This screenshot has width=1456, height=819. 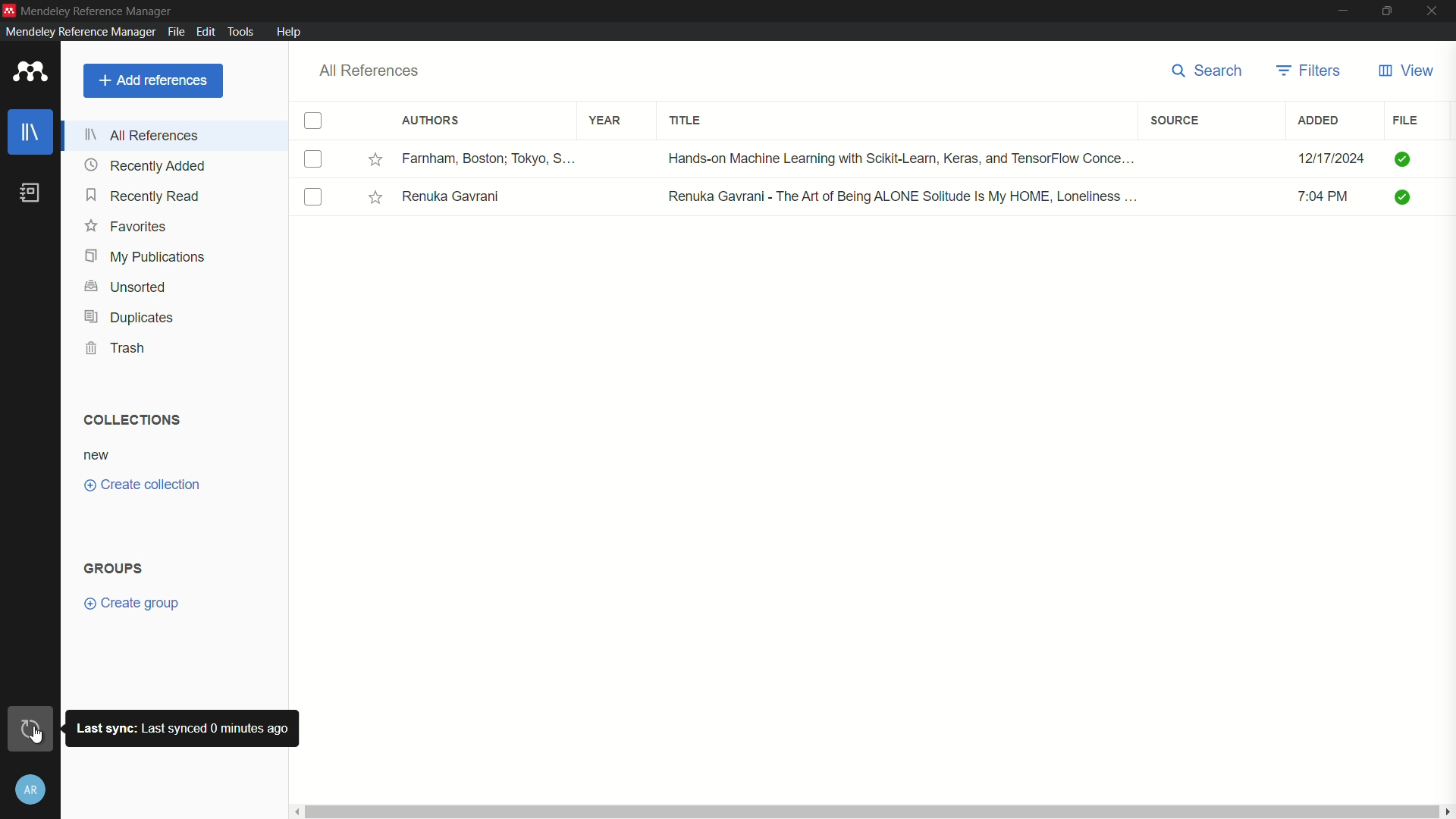 What do you see at coordinates (31, 131) in the screenshot?
I see `library` at bounding box center [31, 131].